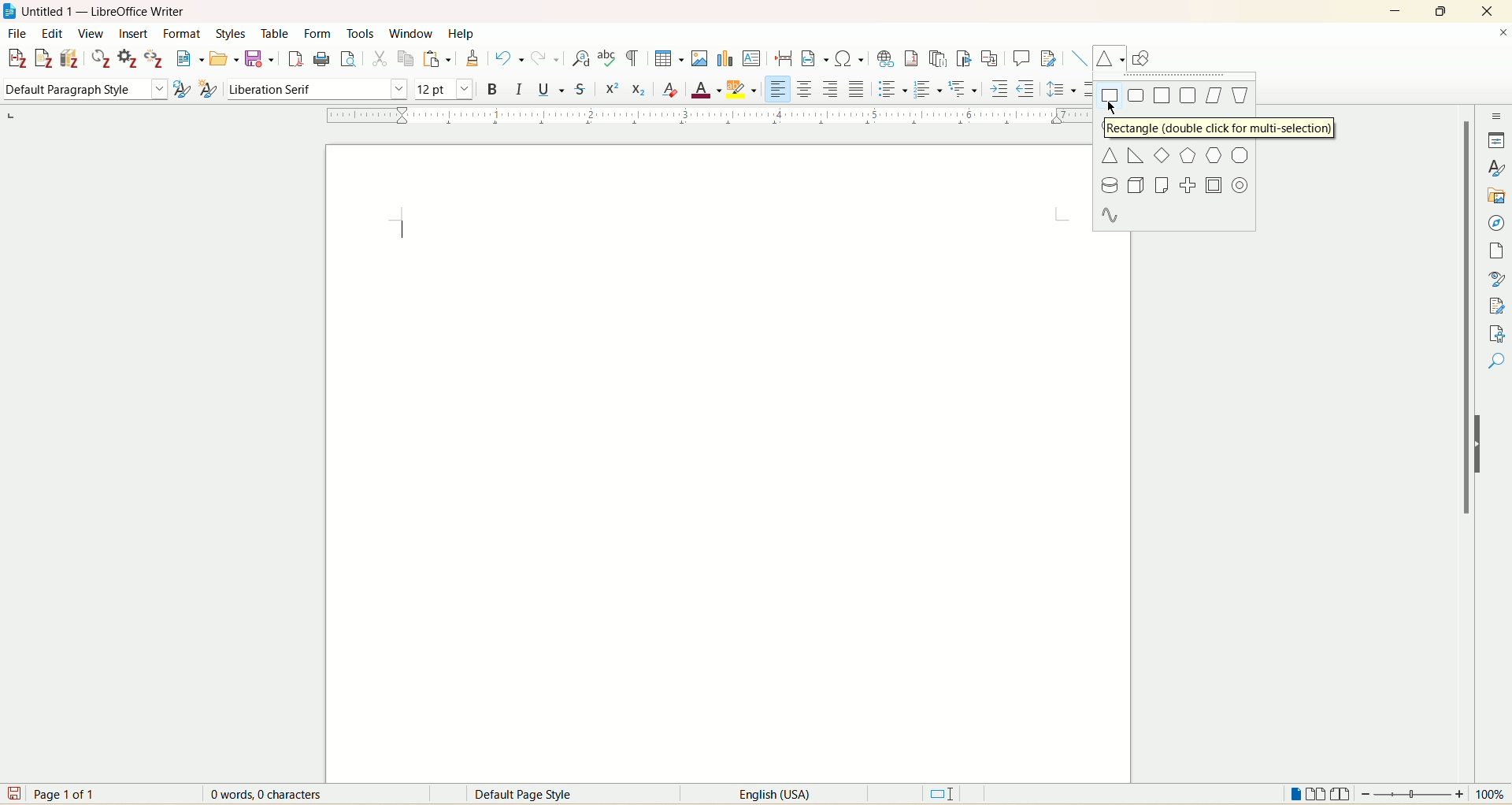 This screenshot has width=1512, height=805. Describe the element at coordinates (1215, 155) in the screenshot. I see `hexagon` at that location.